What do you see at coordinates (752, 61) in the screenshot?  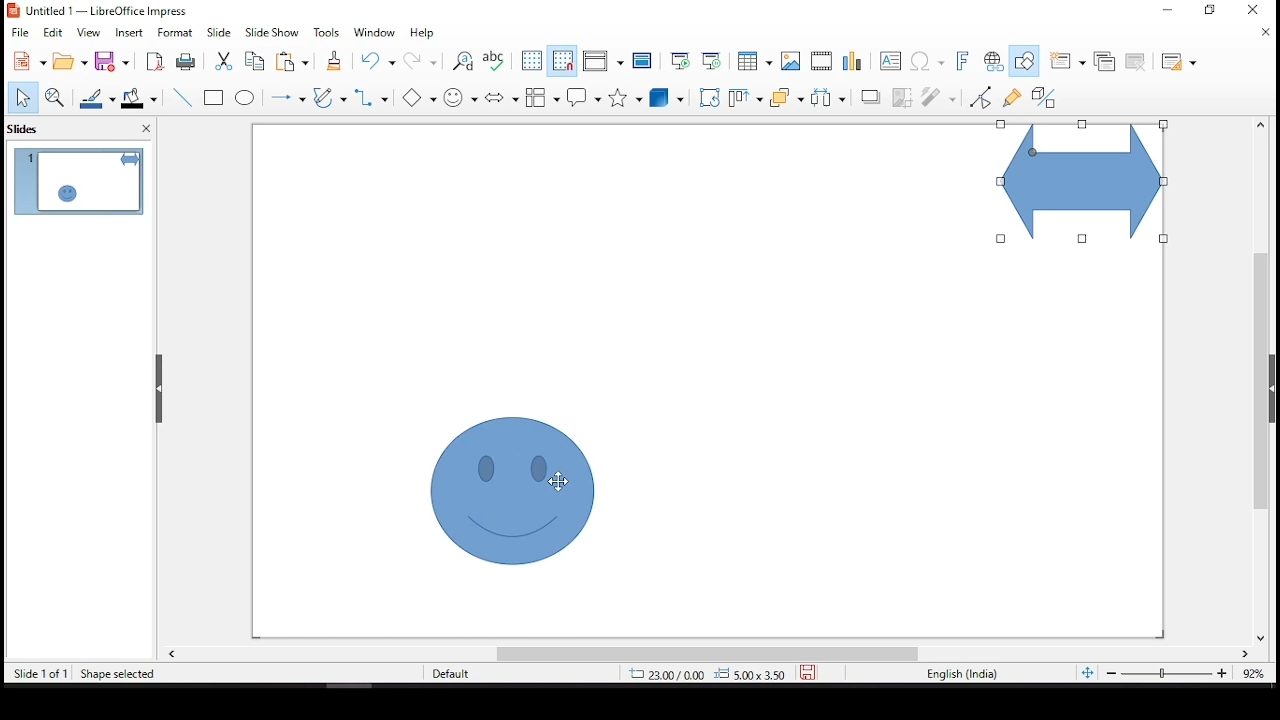 I see `table` at bounding box center [752, 61].